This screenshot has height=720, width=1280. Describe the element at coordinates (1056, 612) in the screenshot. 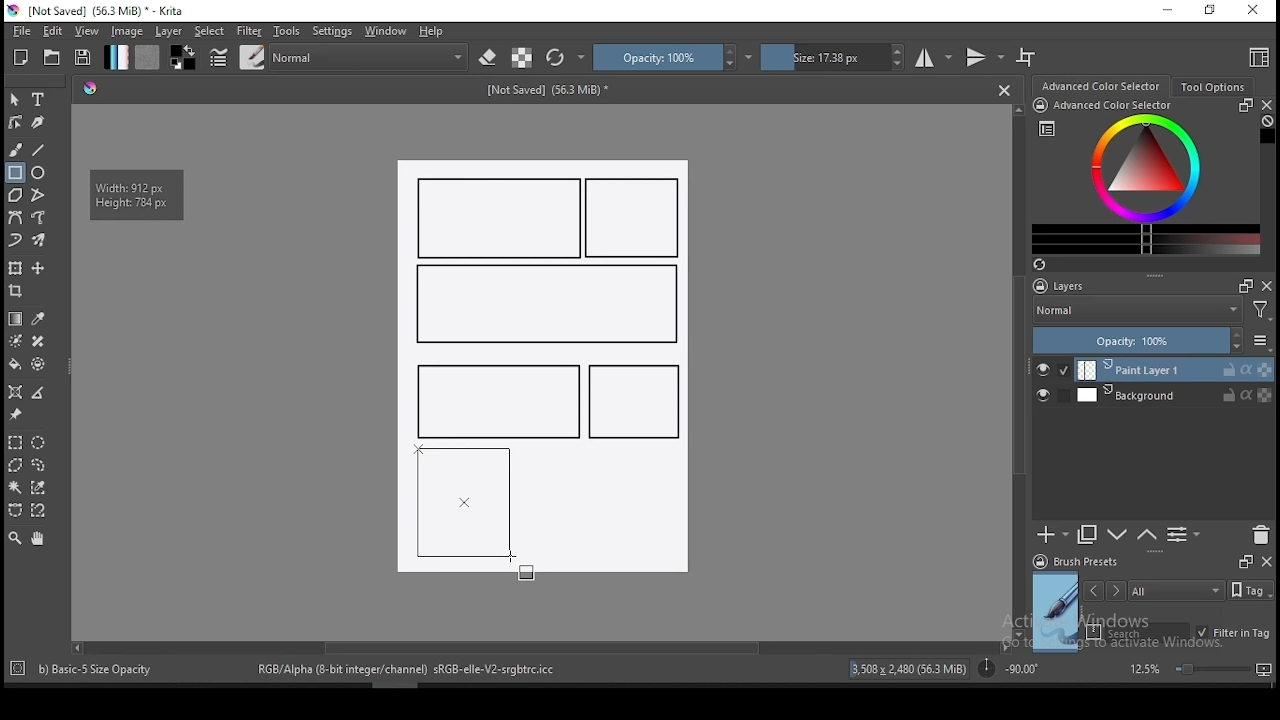

I see `preview` at that location.